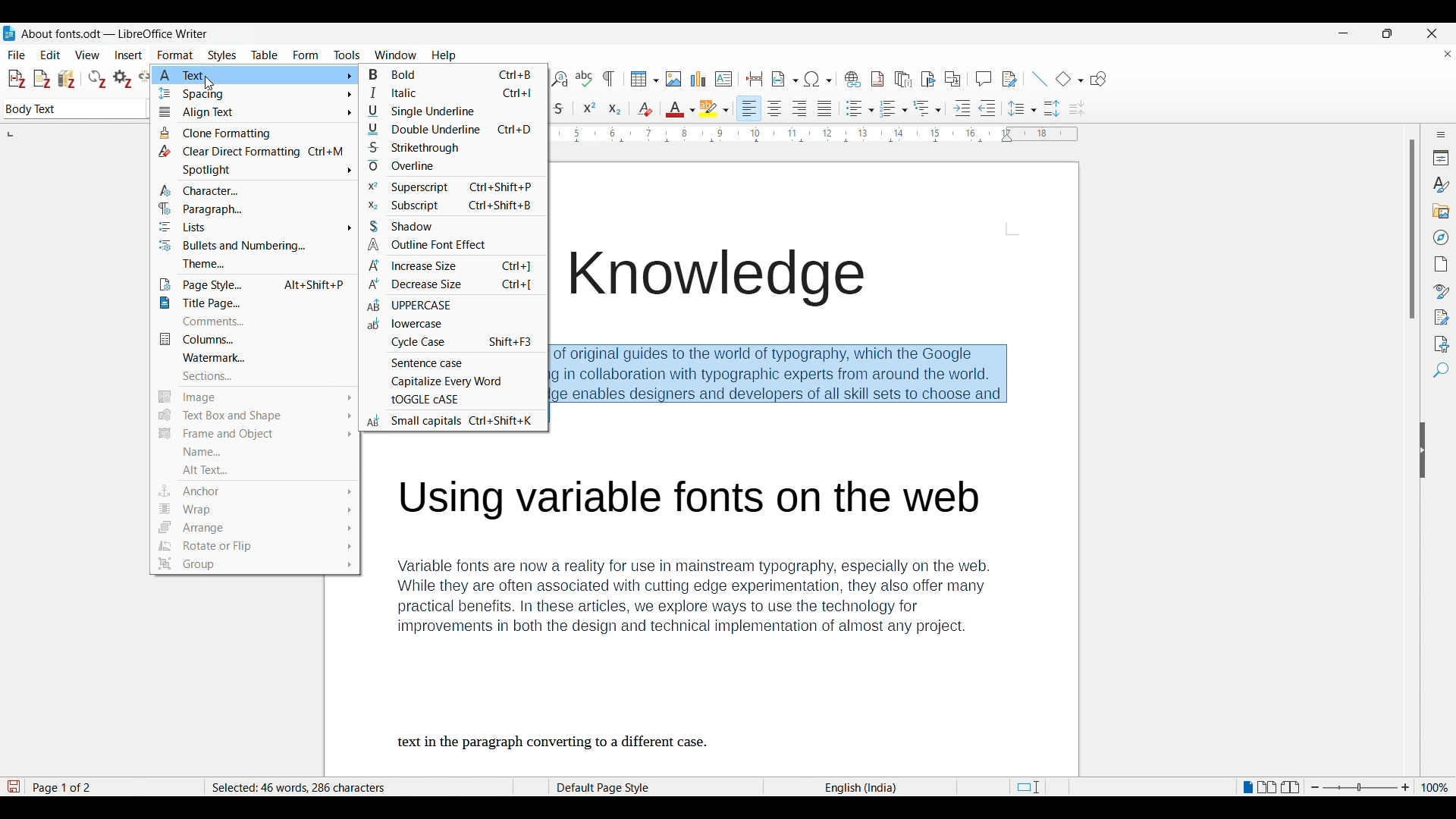 This screenshot has width=1456, height=819. What do you see at coordinates (788, 383) in the screenshot?
I see `Paragraph selected by cursor` at bounding box center [788, 383].